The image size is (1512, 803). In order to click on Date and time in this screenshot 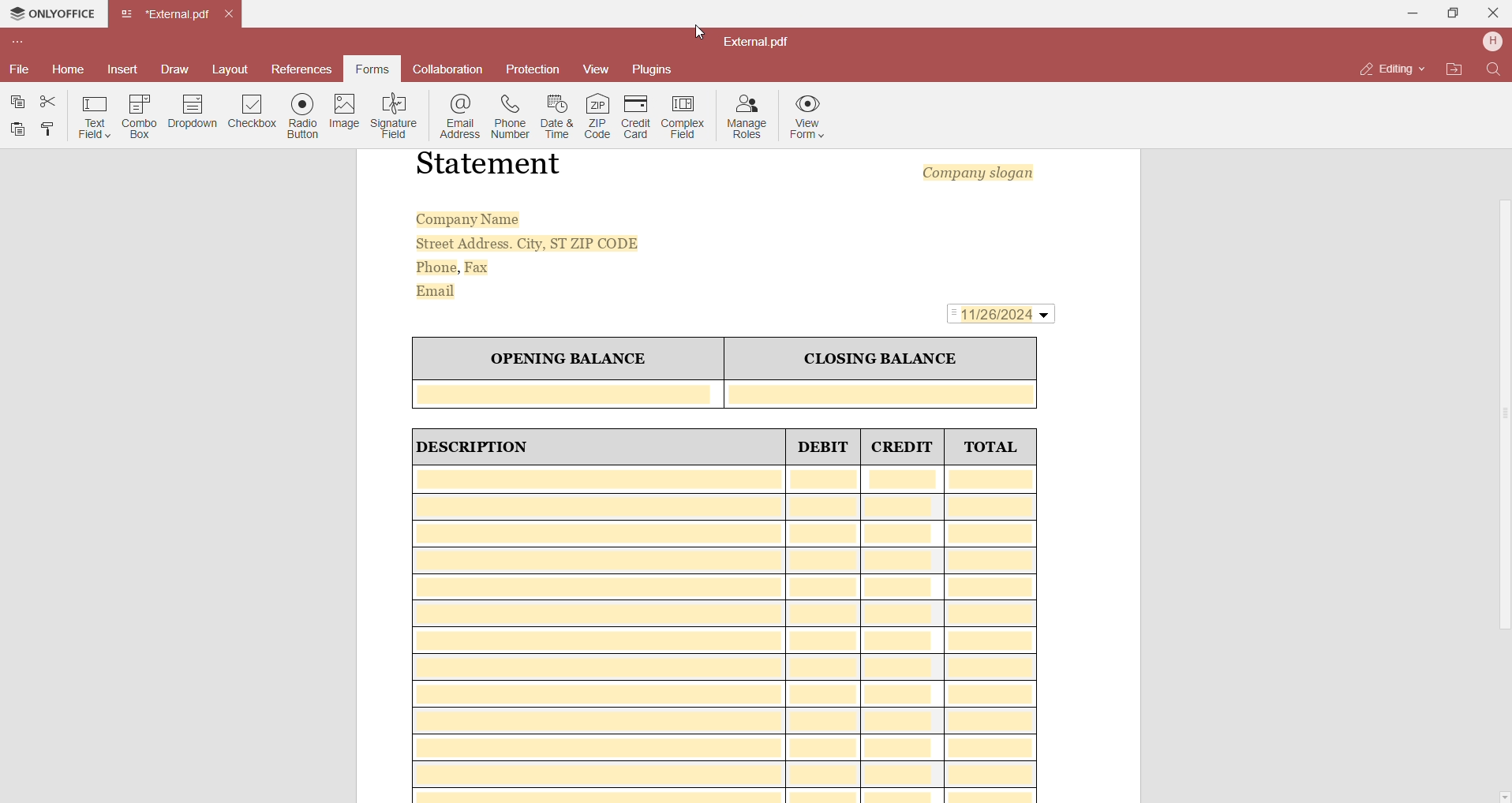, I will do `click(556, 118)`.